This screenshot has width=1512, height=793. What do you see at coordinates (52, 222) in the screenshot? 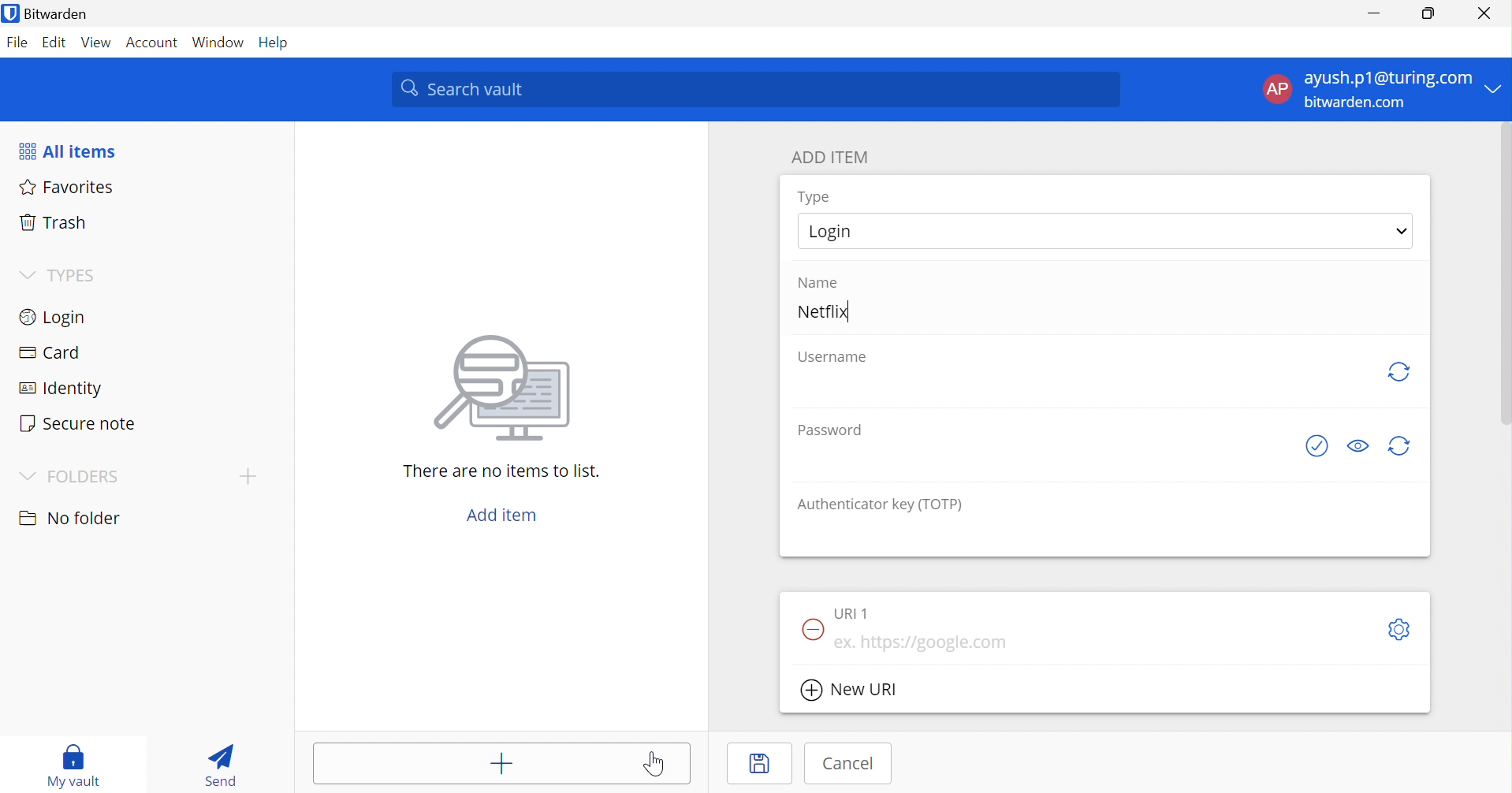
I see `Trash` at bounding box center [52, 222].